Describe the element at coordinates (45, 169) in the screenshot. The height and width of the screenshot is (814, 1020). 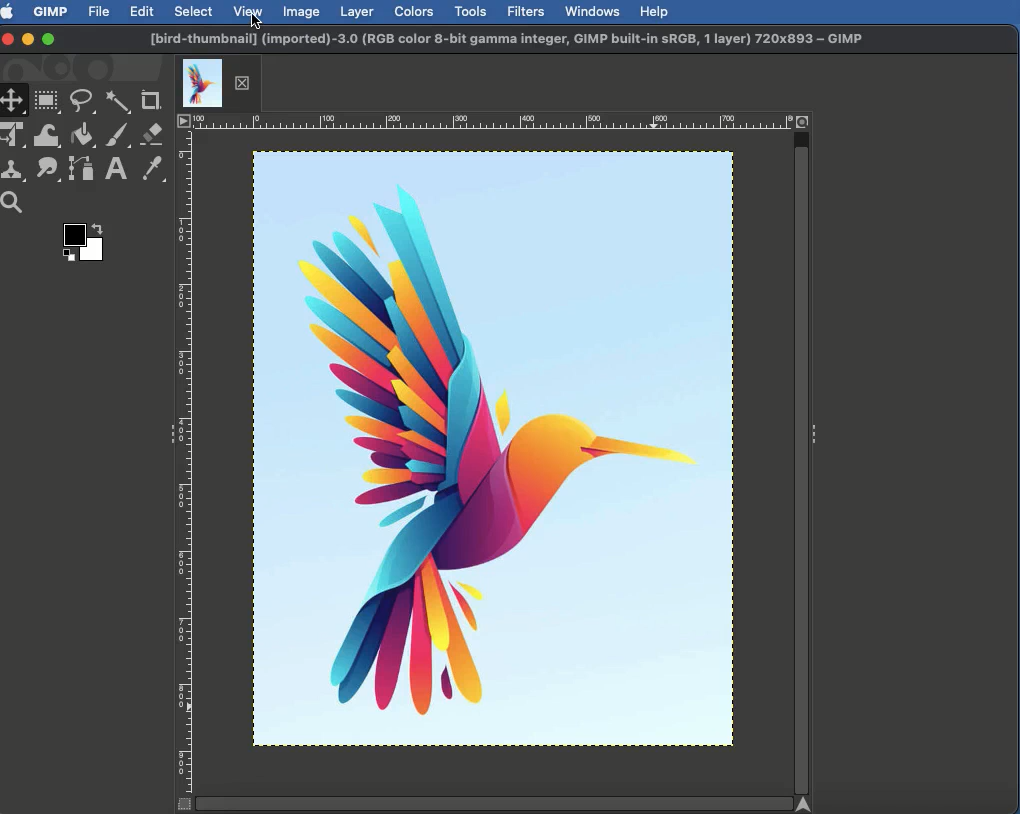
I see `Smudge tool` at that location.